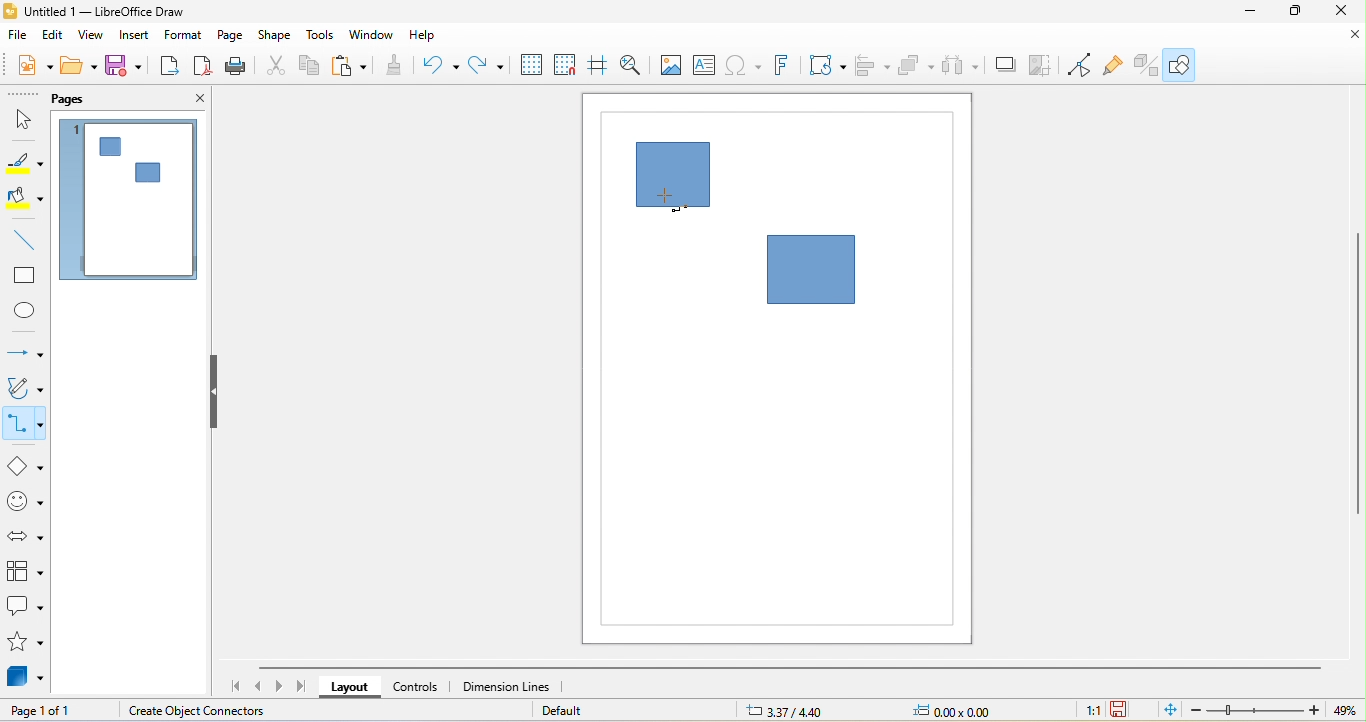  What do you see at coordinates (313, 66) in the screenshot?
I see `copy` at bounding box center [313, 66].